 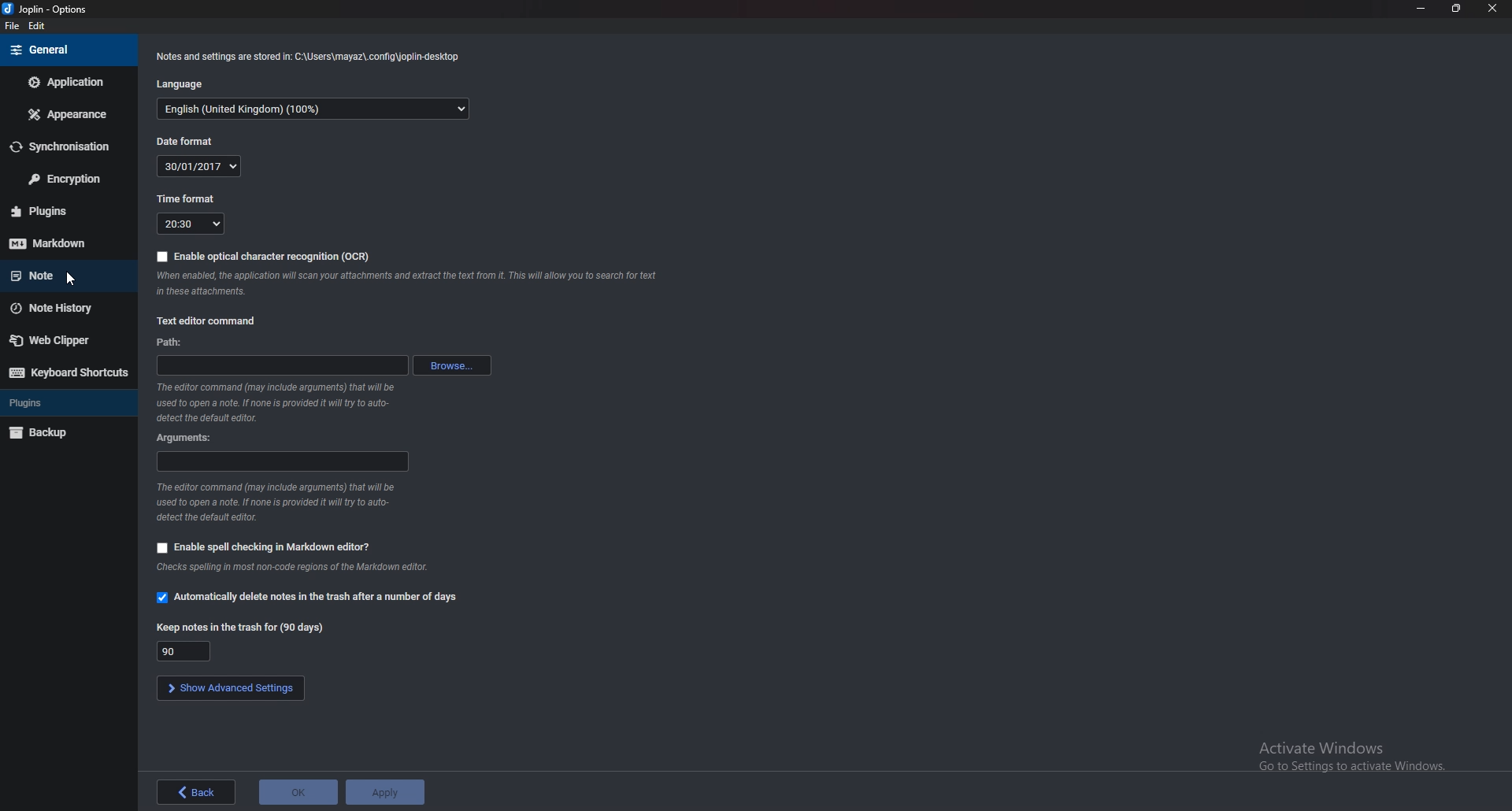 I want to click on Mark down, so click(x=67, y=243).